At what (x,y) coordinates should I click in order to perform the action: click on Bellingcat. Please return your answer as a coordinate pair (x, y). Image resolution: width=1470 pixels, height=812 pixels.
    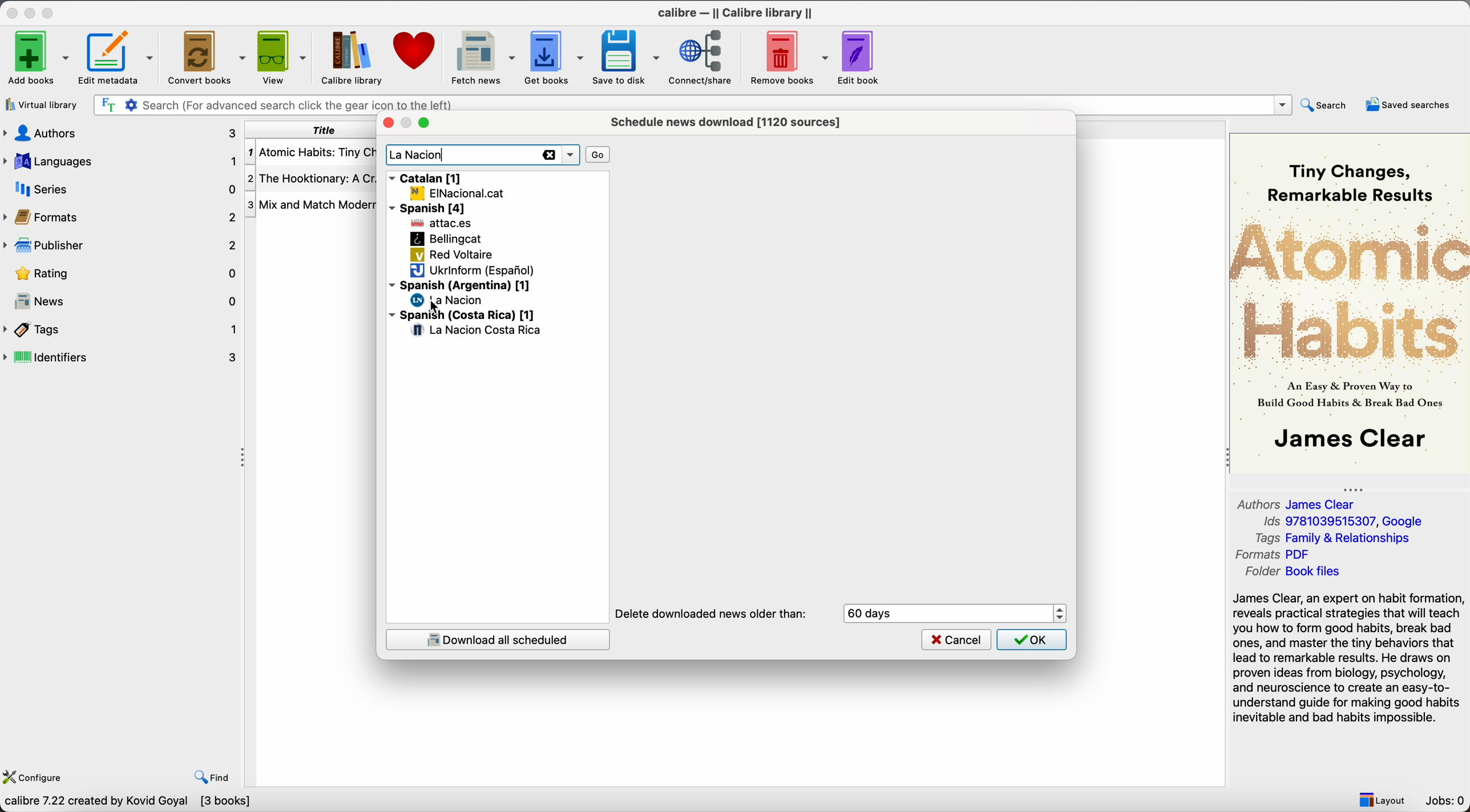
    Looking at the image, I should click on (446, 239).